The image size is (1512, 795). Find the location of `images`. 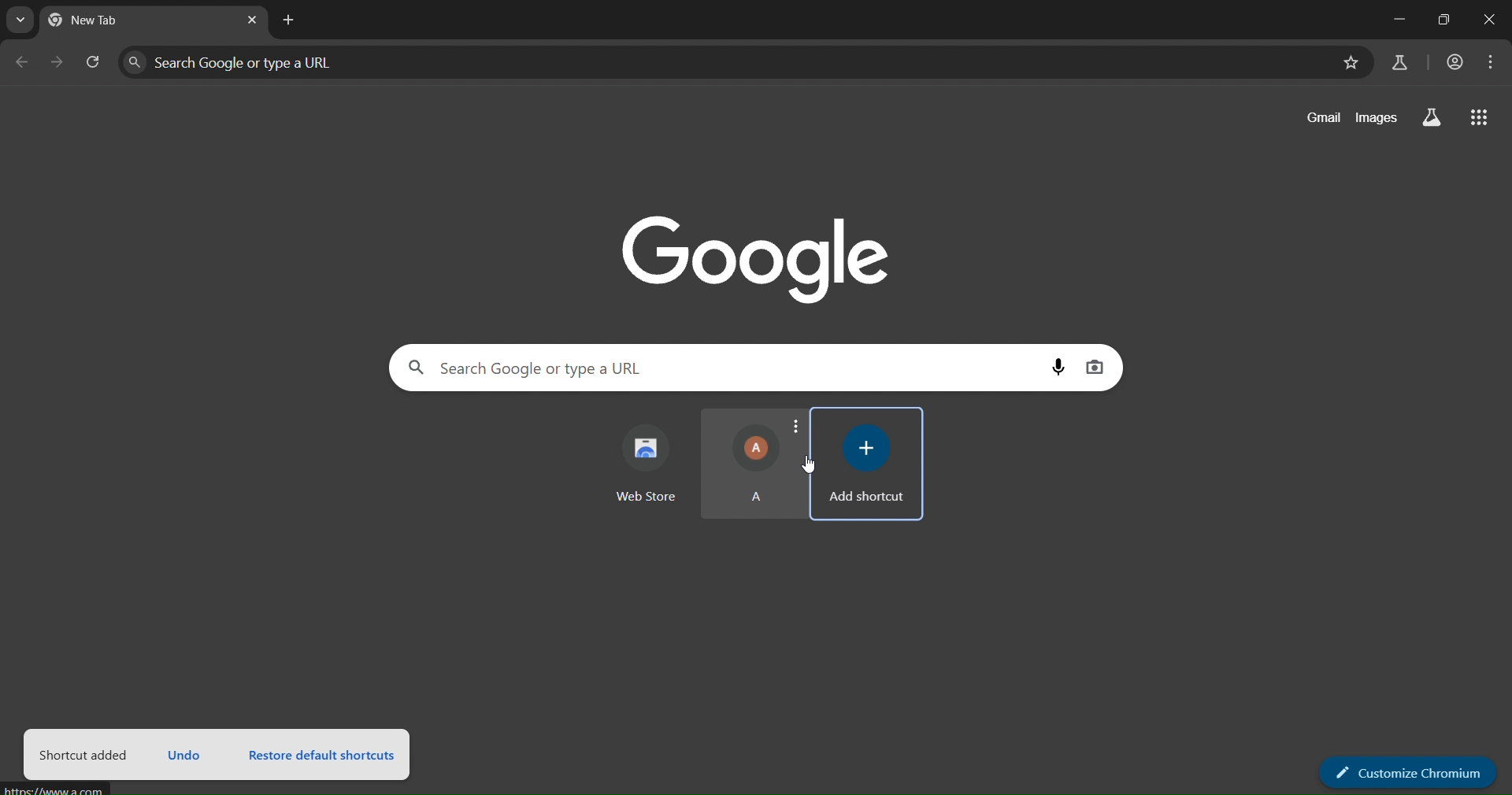

images is located at coordinates (1377, 115).